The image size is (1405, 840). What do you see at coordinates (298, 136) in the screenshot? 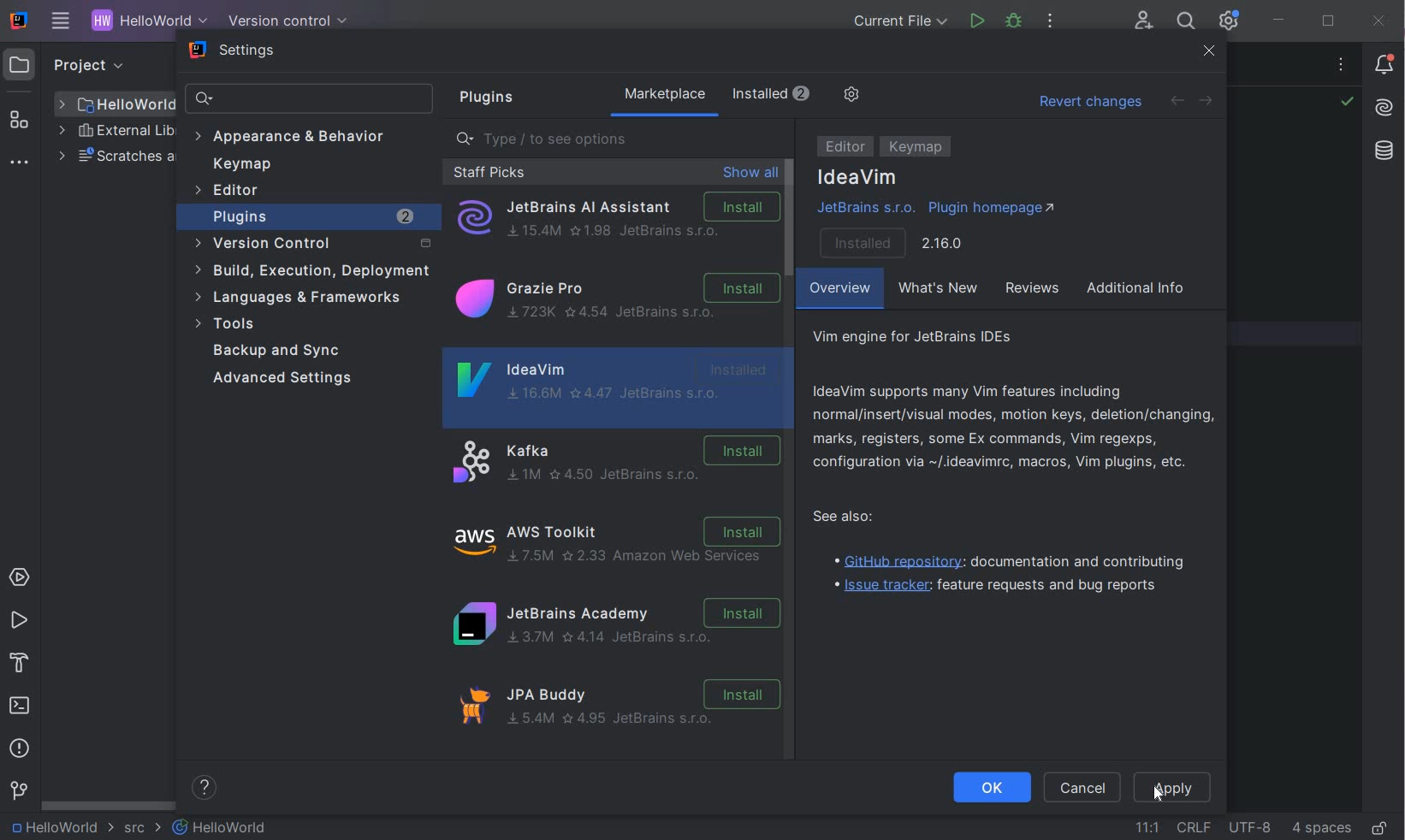
I see `appearance & behavior` at bounding box center [298, 136].